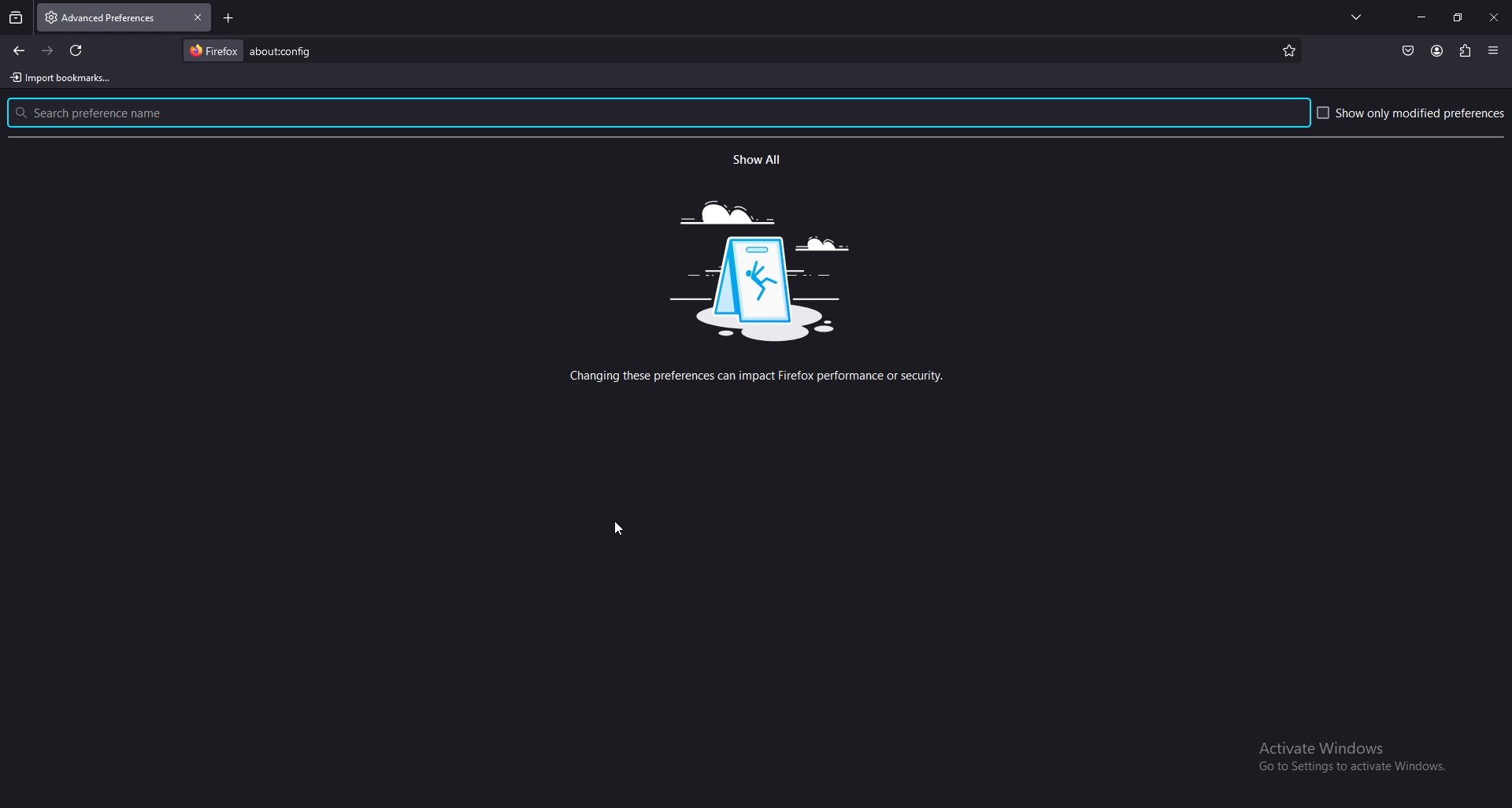  Describe the element at coordinates (197, 17) in the screenshot. I see `close tab` at that location.